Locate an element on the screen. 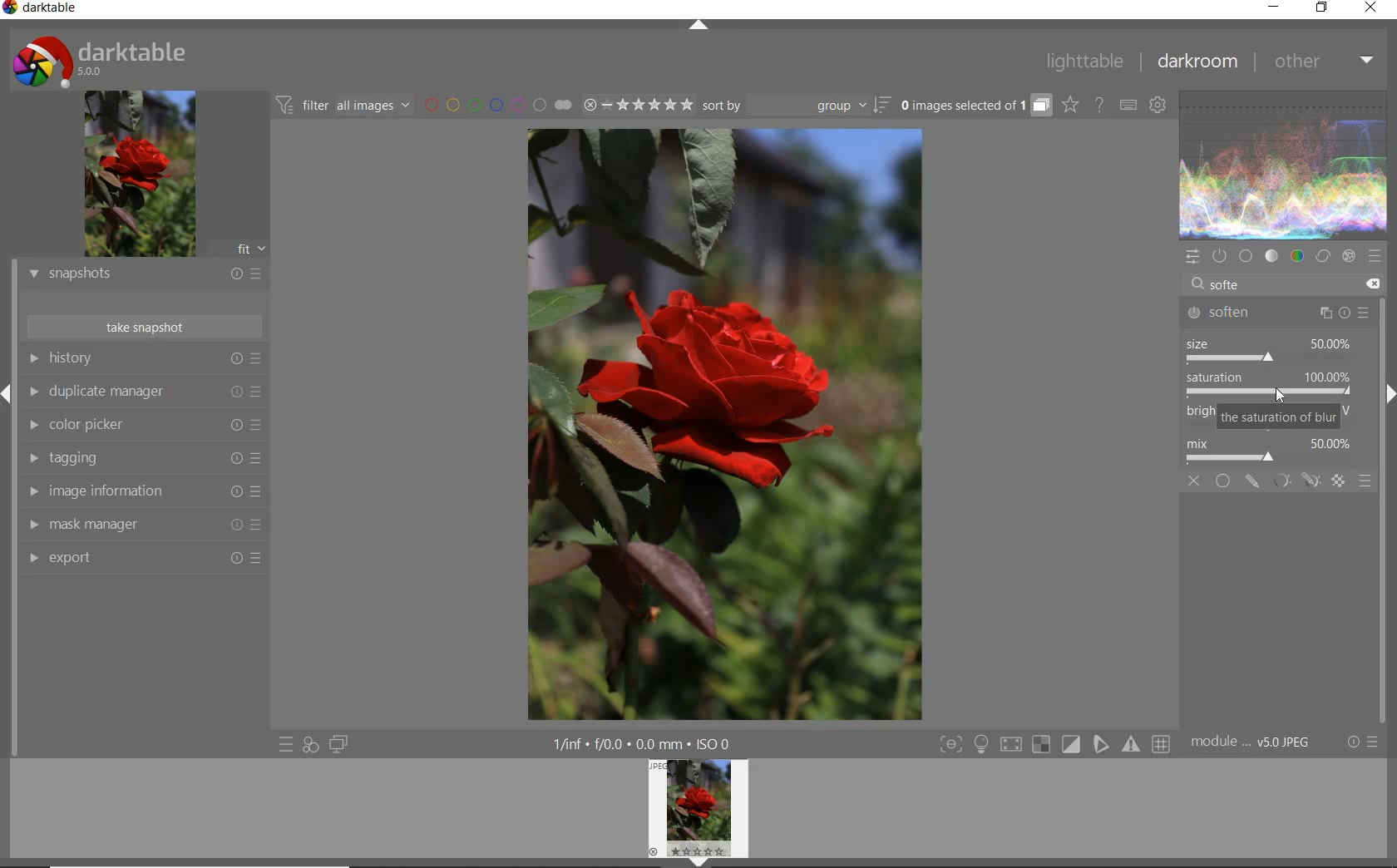  presets is located at coordinates (1374, 254).